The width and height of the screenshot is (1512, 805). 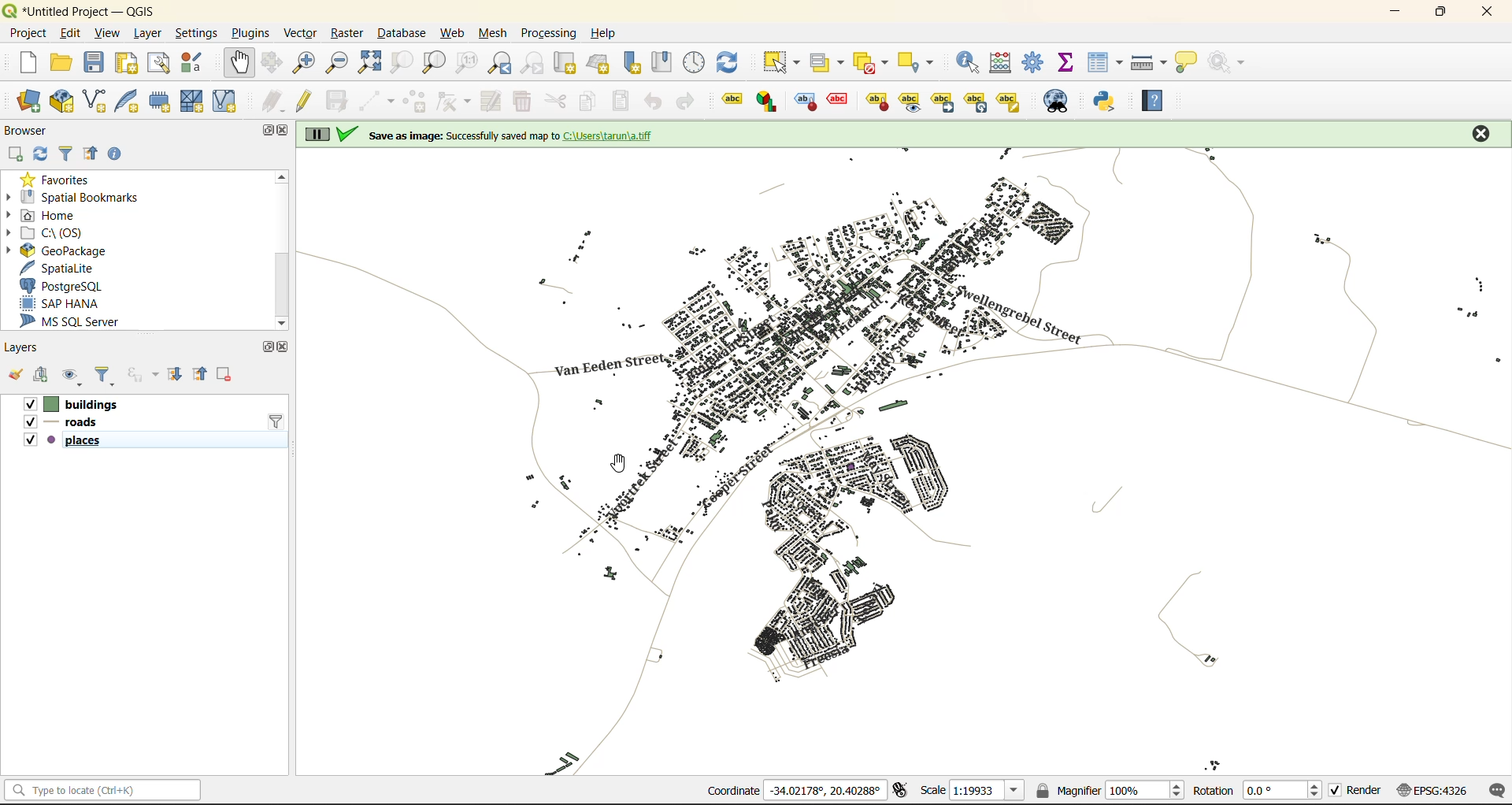 What do you see at coordinates (299, 32) in the screenshot?
I see `vector` at bounding box center [299, 32].